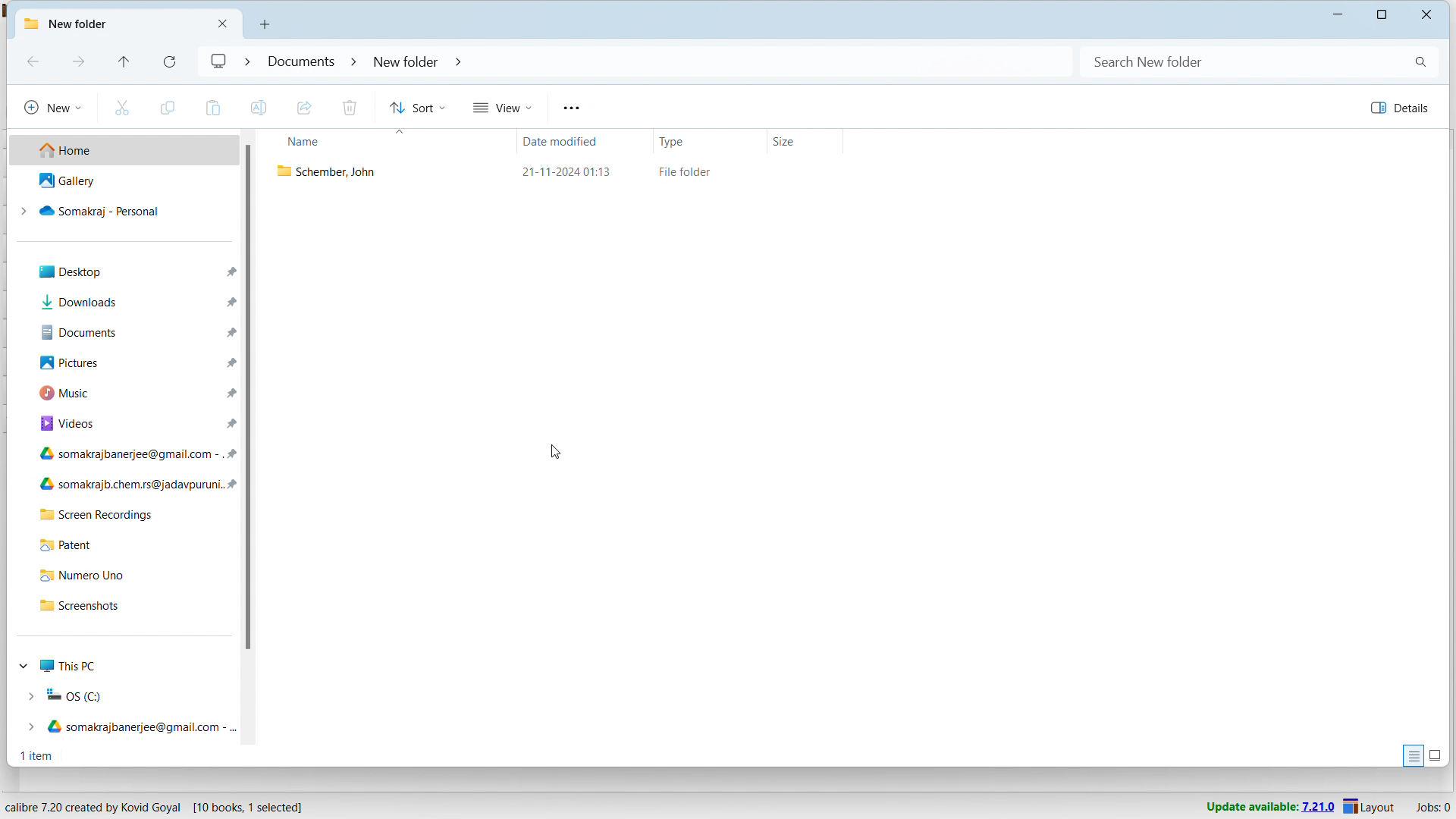 The image size is (1456, 819). What do you see at coordinates (135, 358) in the screenshot?
I see `pictures` at bounding box center [135, 358].